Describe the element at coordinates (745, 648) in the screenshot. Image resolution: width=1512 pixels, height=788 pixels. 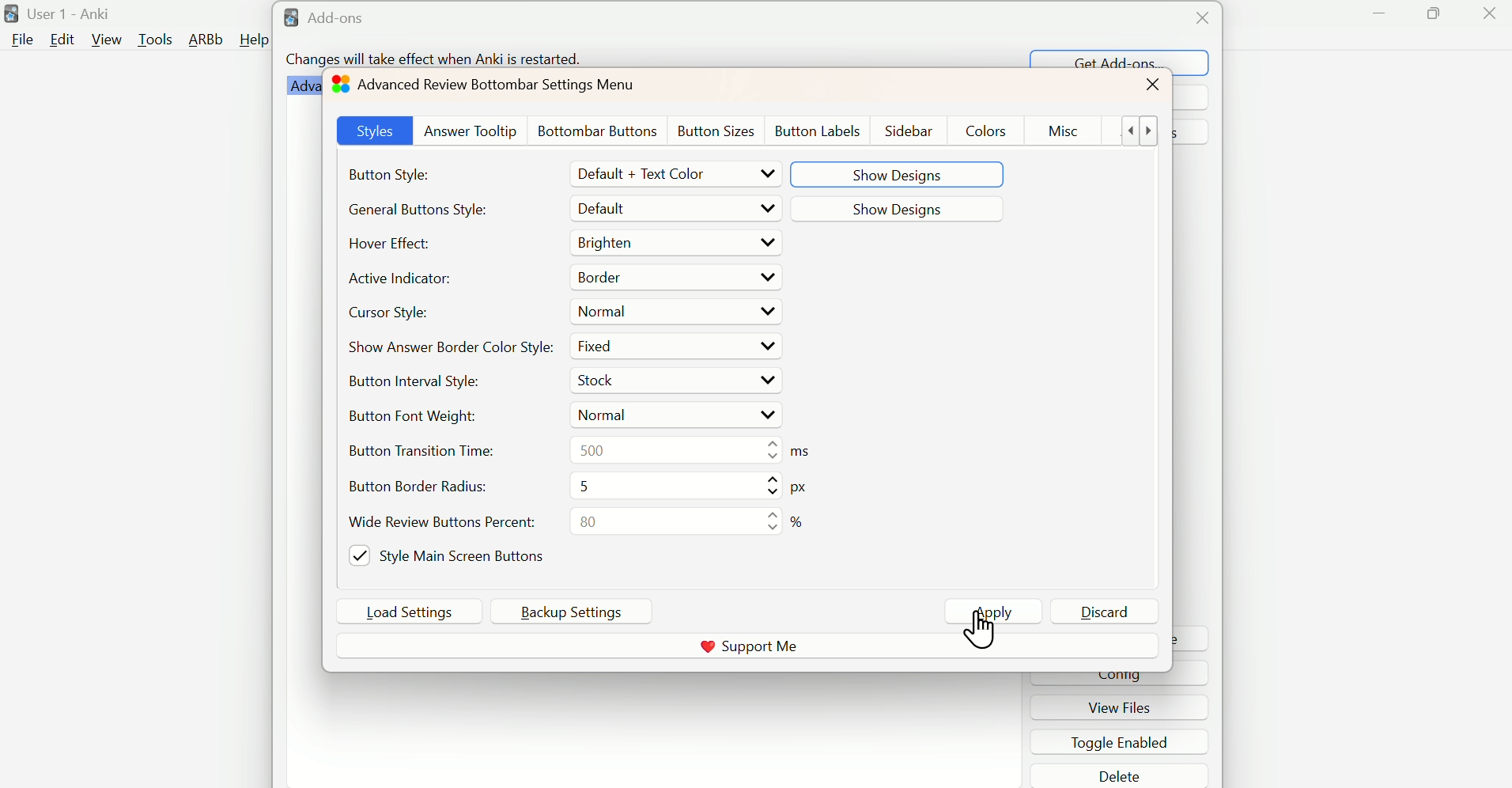
I see `Support me` at that location.